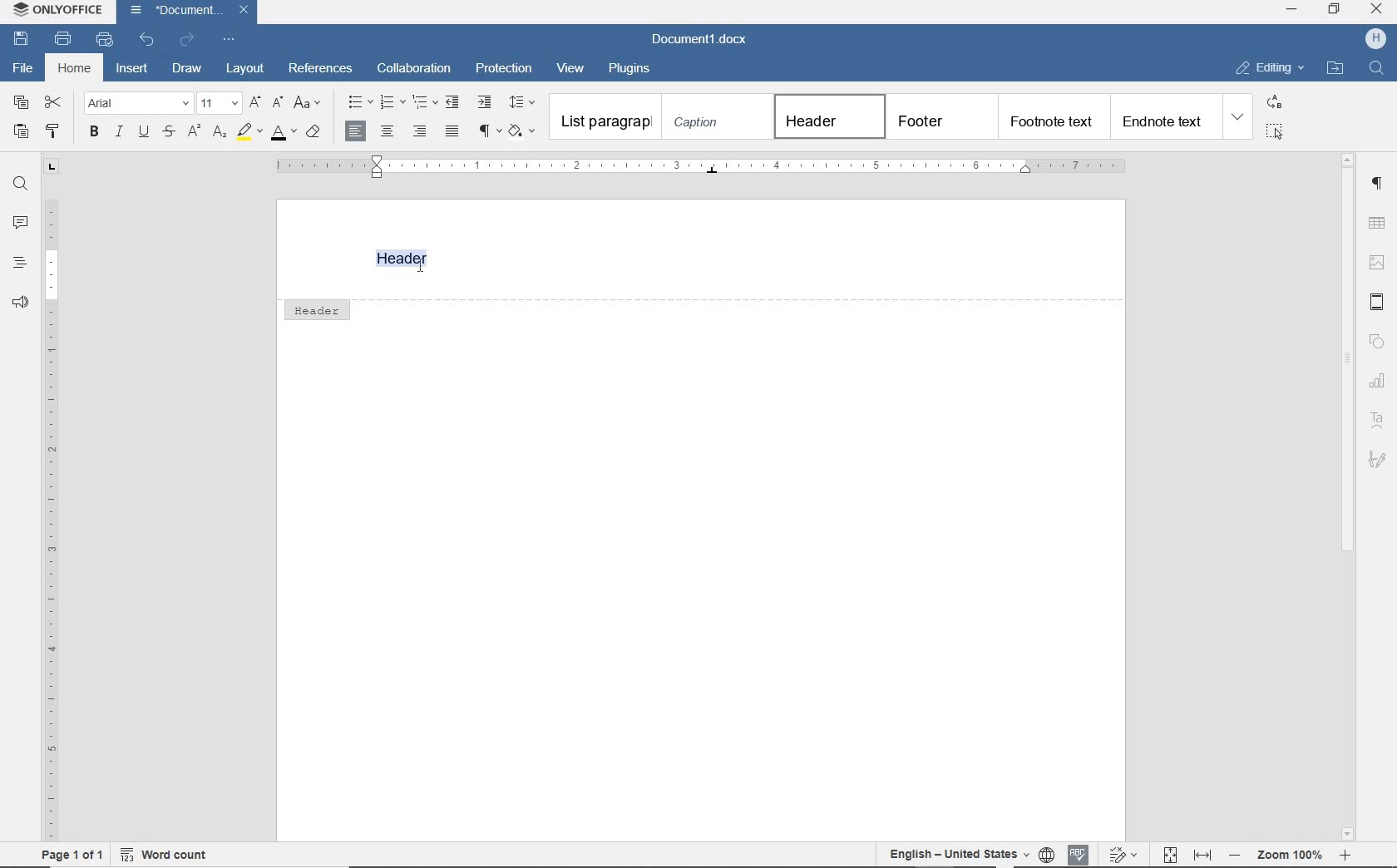 This screenshot has width=1397, height=868. Describe the element at coordinates (147, 38) in the screenshot. I see `unload` at that location.